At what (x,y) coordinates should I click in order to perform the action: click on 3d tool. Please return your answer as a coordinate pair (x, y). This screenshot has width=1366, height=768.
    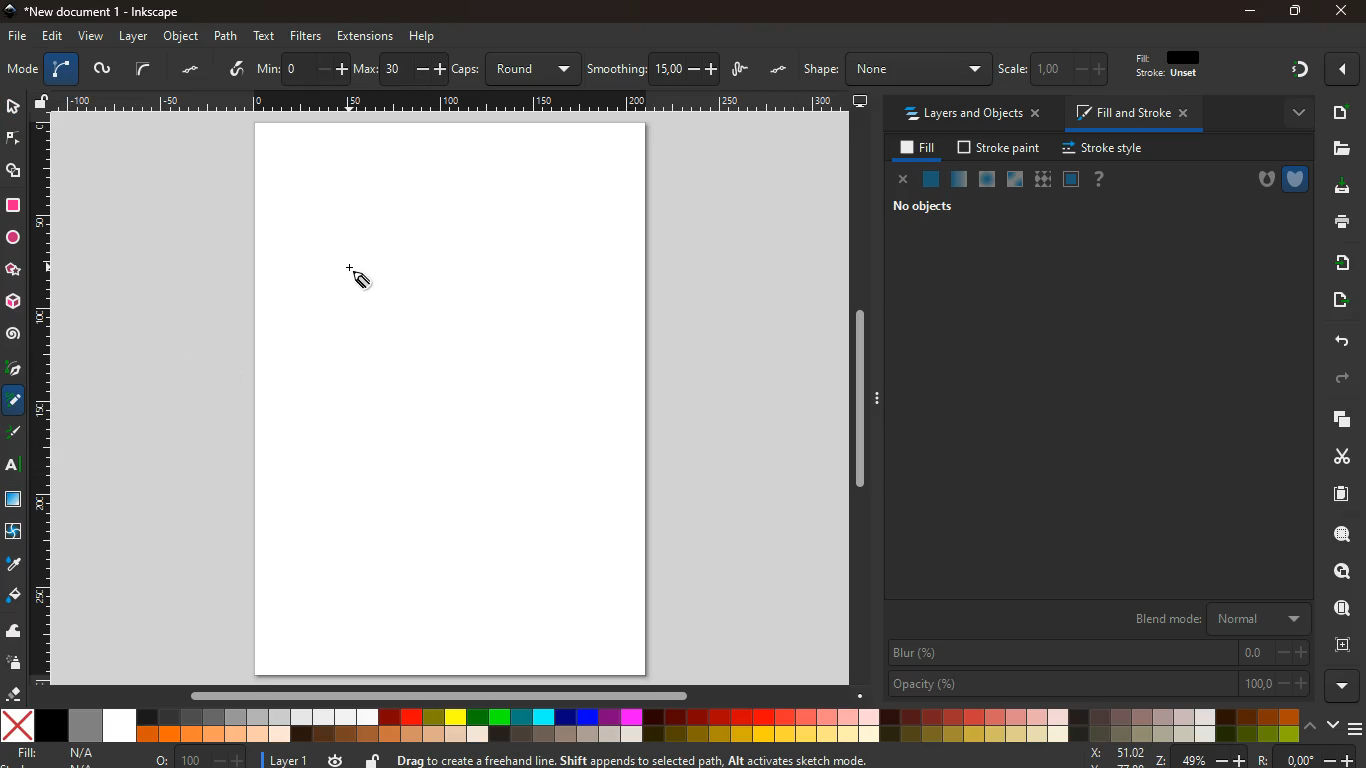
    Looking at the image, I should click on (15, 302).